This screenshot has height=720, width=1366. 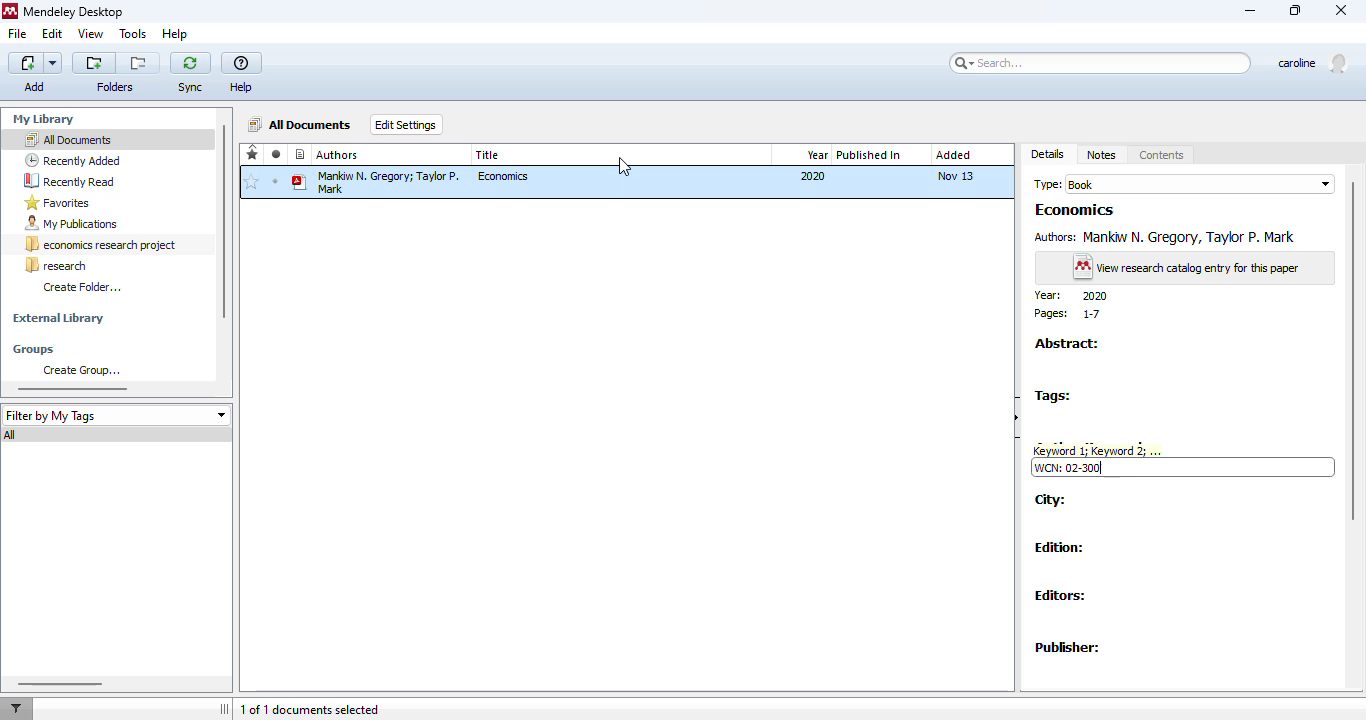 I want to click on editors:, so click(x=1061, y=597).